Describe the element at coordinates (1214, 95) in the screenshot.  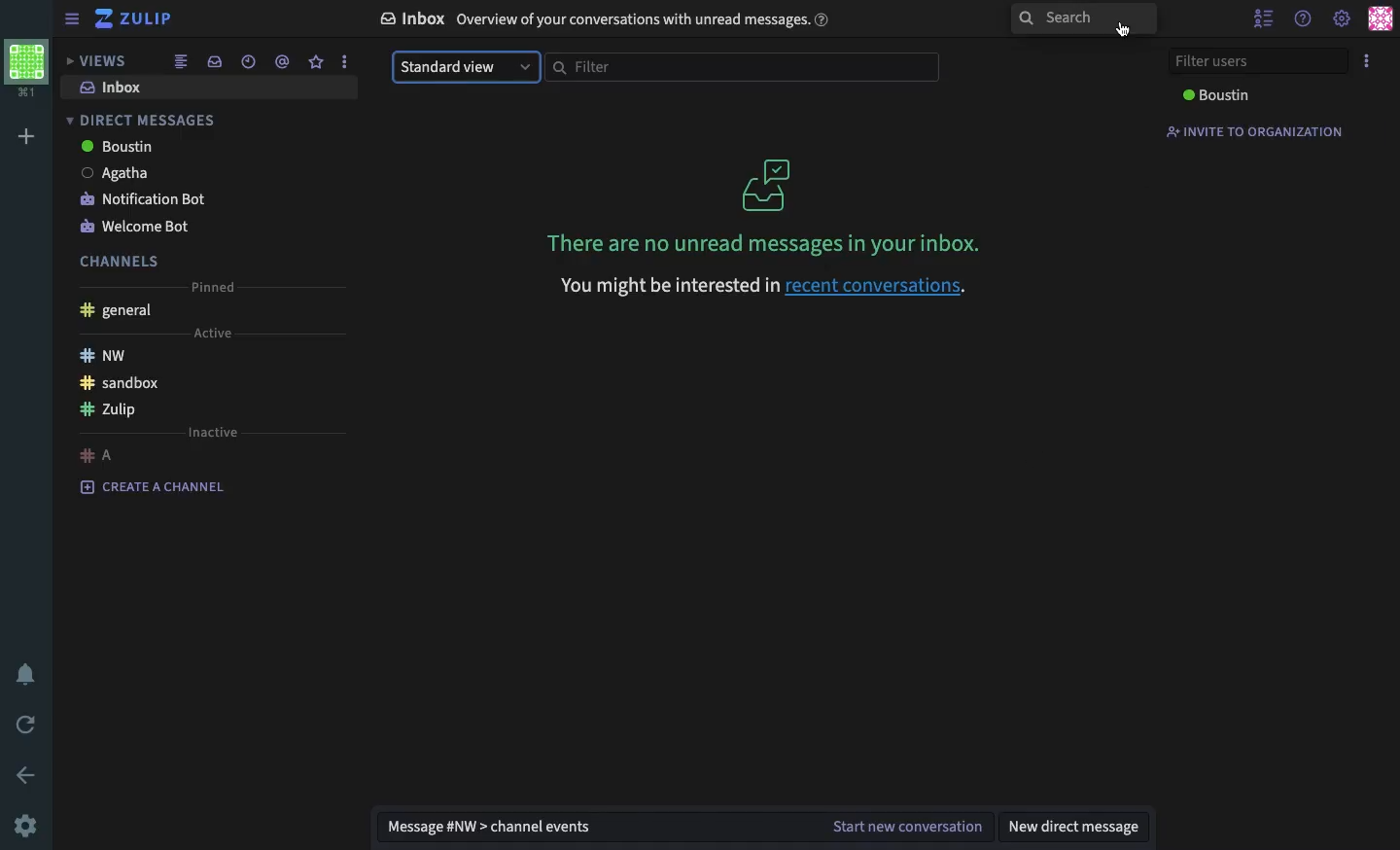
I see `boustin` at that location.